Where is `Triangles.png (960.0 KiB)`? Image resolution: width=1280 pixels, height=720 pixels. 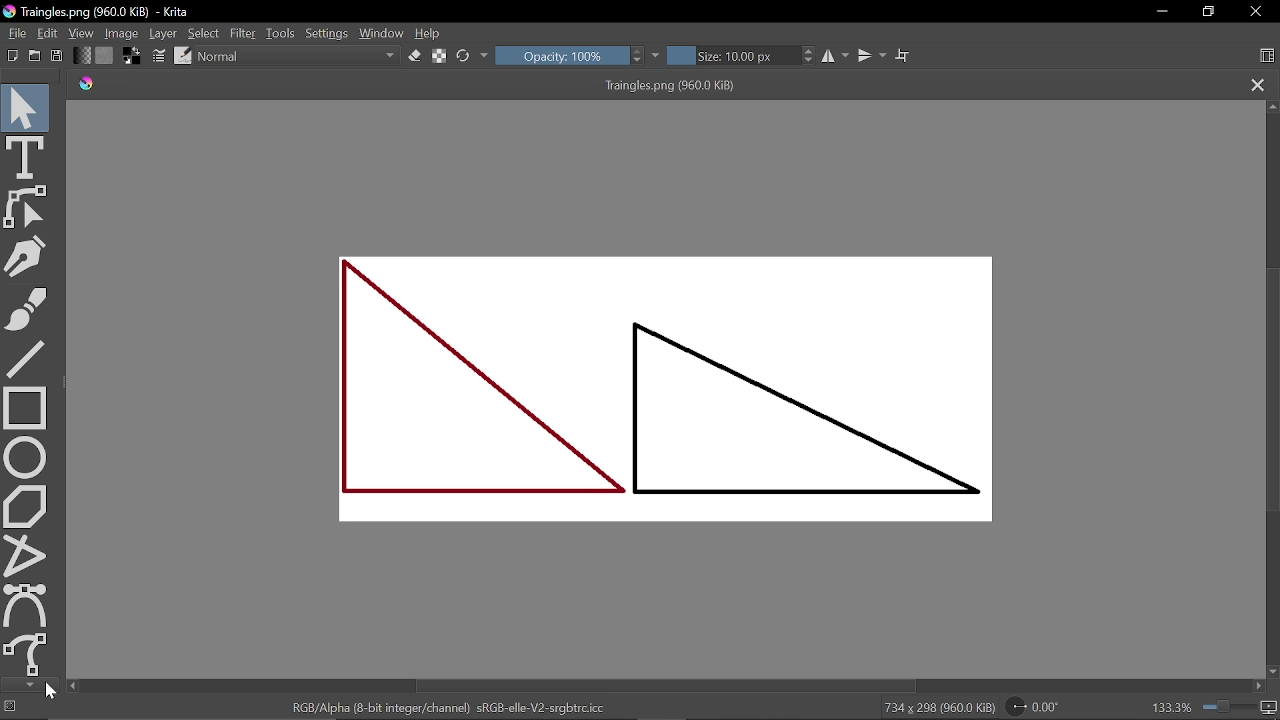
Triangles.png (960.0 KiB) is located at coordinates (678, 87).